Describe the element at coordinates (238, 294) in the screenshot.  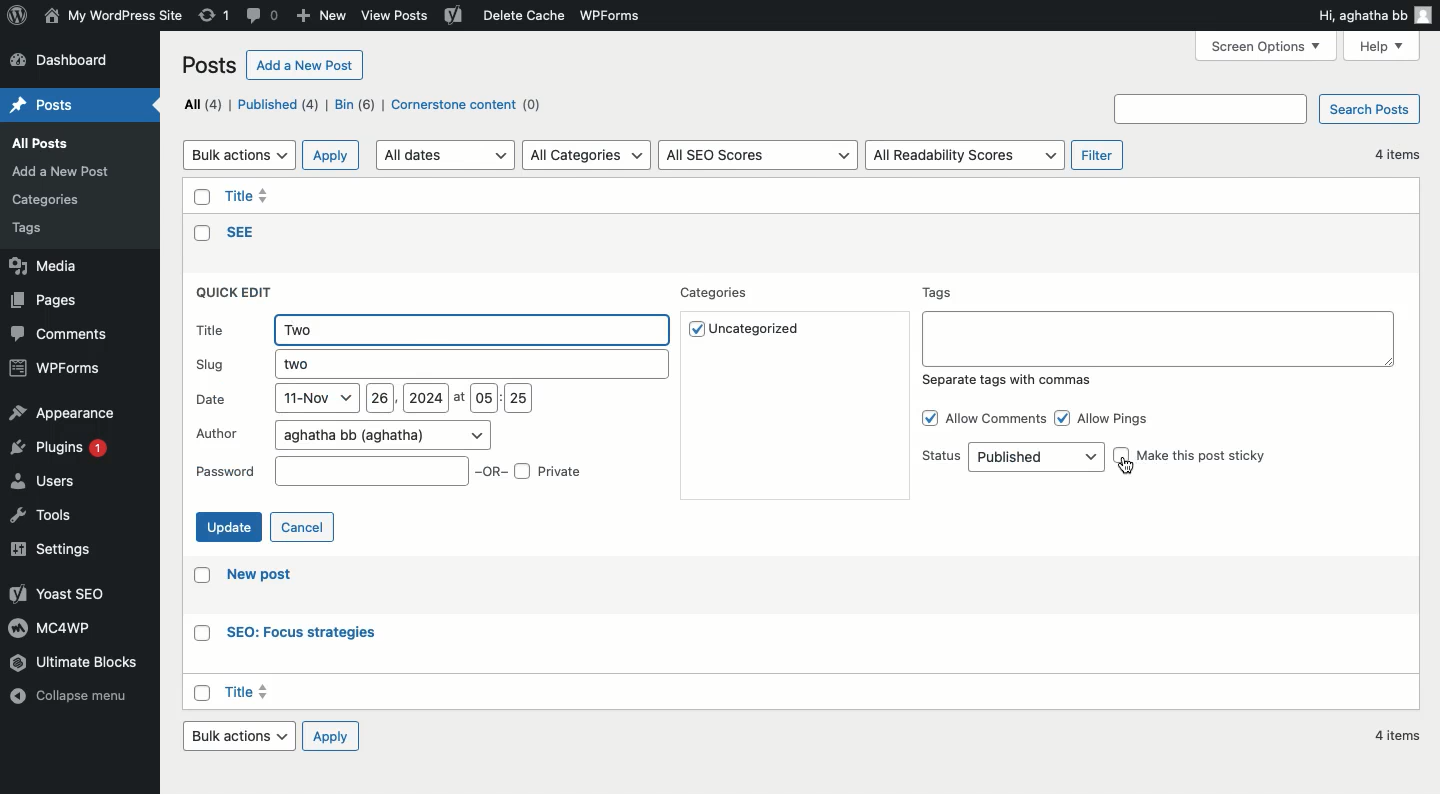
I see `Quick edit` at that location.